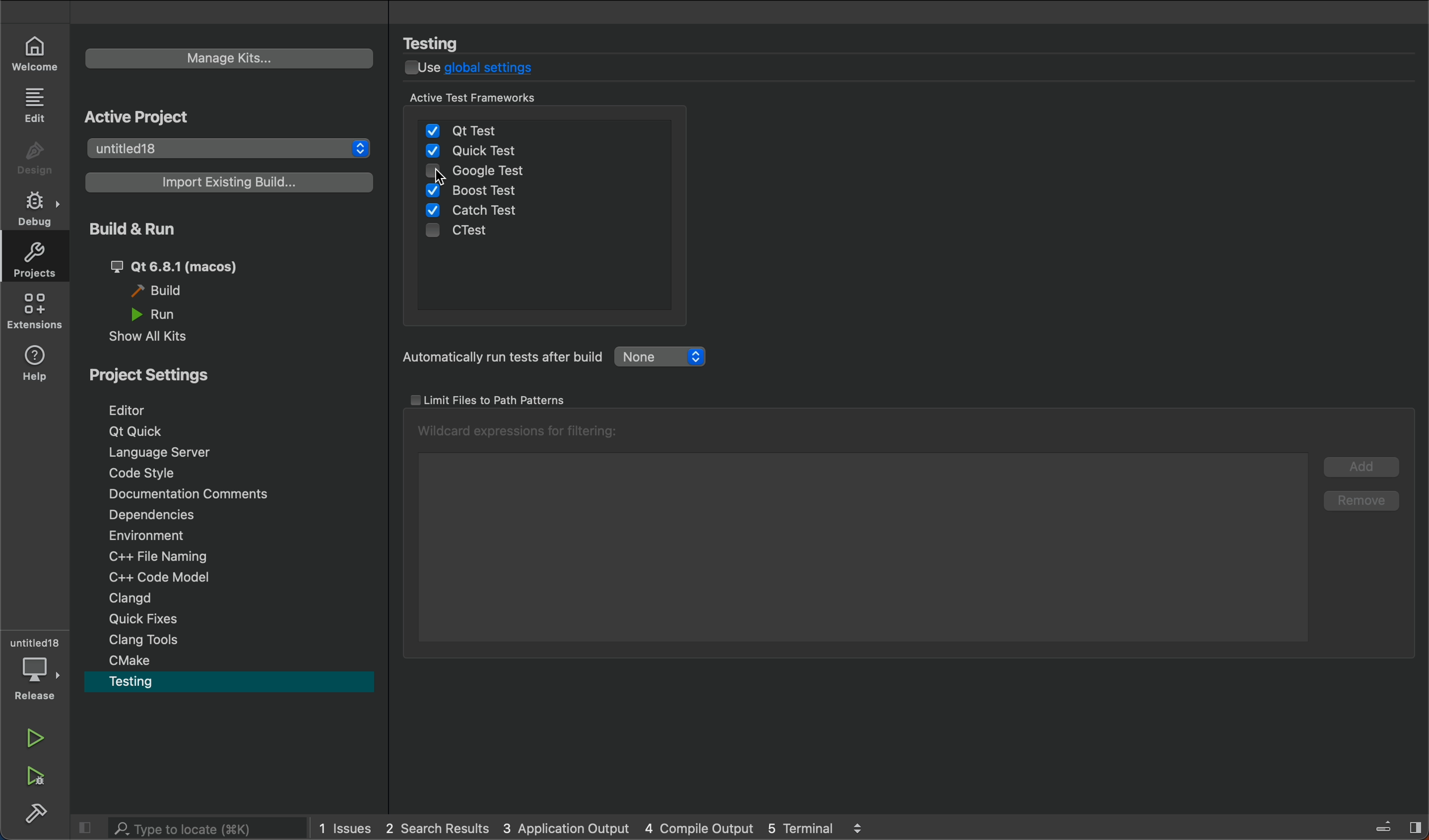  I want to click on google tests, so click(487, 168).